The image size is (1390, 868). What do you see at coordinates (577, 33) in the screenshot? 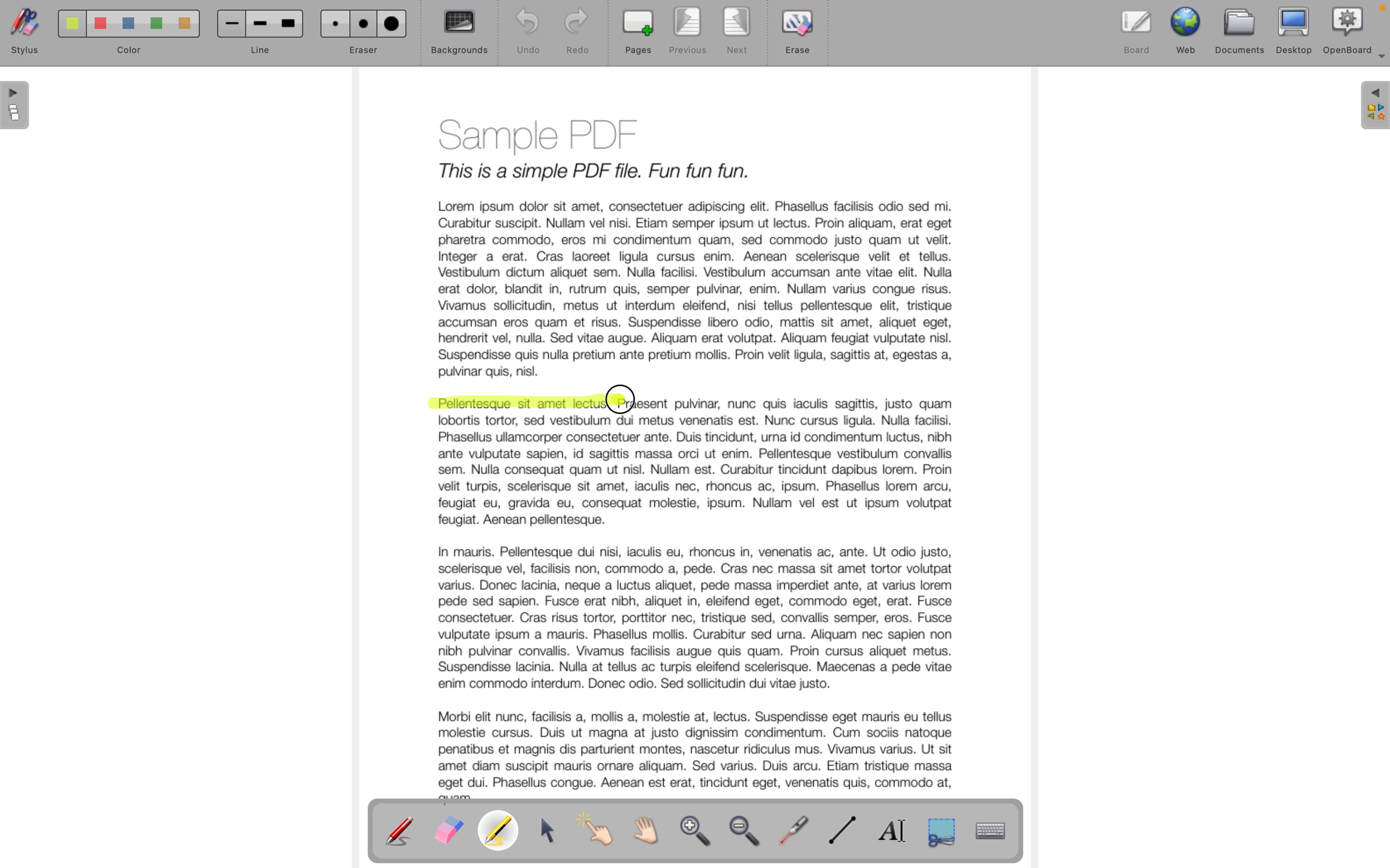
I see `redo` at bounding box center [577, 33].